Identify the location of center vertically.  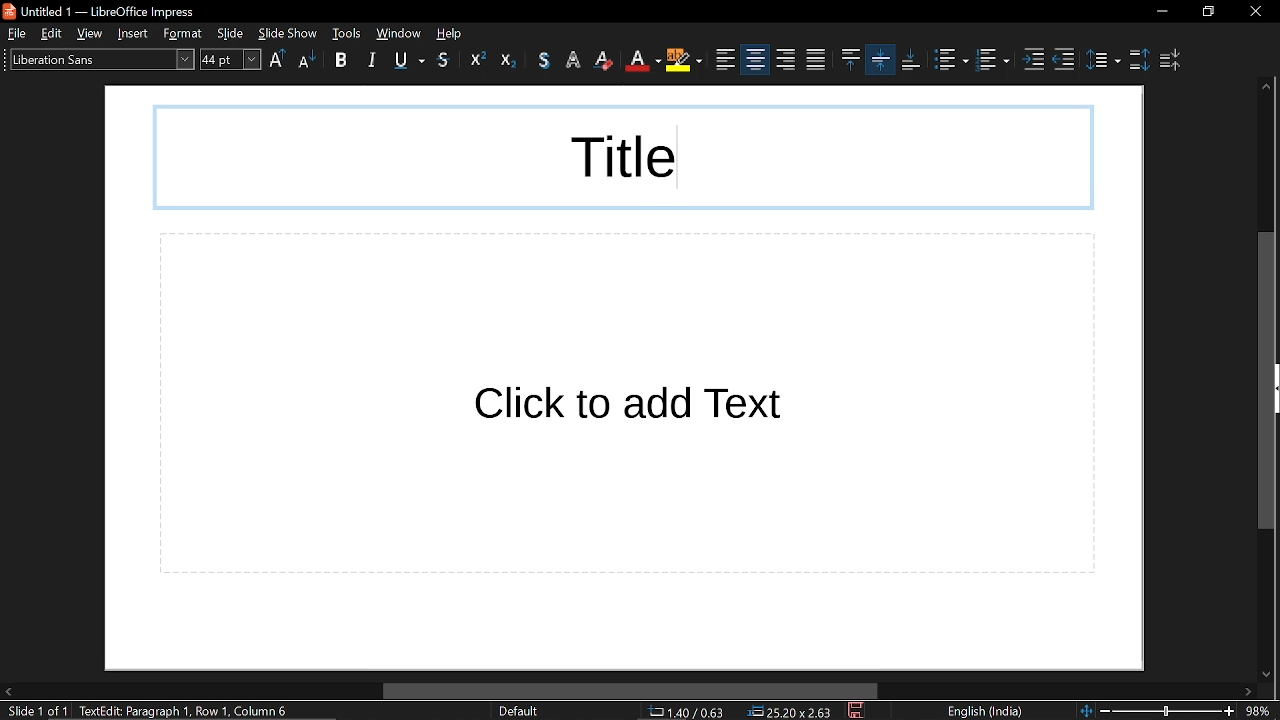
(849, 59).